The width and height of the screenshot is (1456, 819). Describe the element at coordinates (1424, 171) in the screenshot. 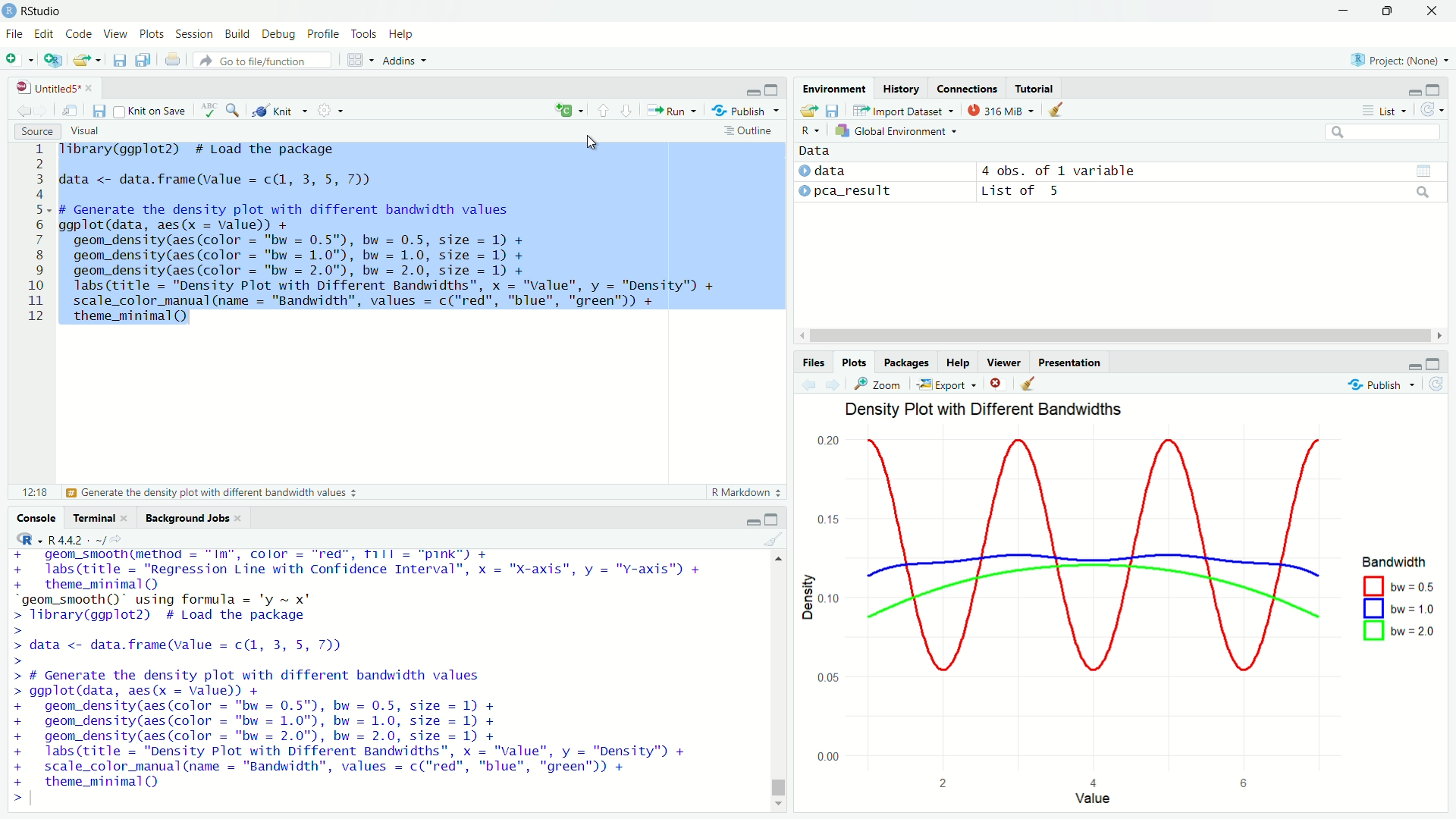

I see `grid view` at that location.